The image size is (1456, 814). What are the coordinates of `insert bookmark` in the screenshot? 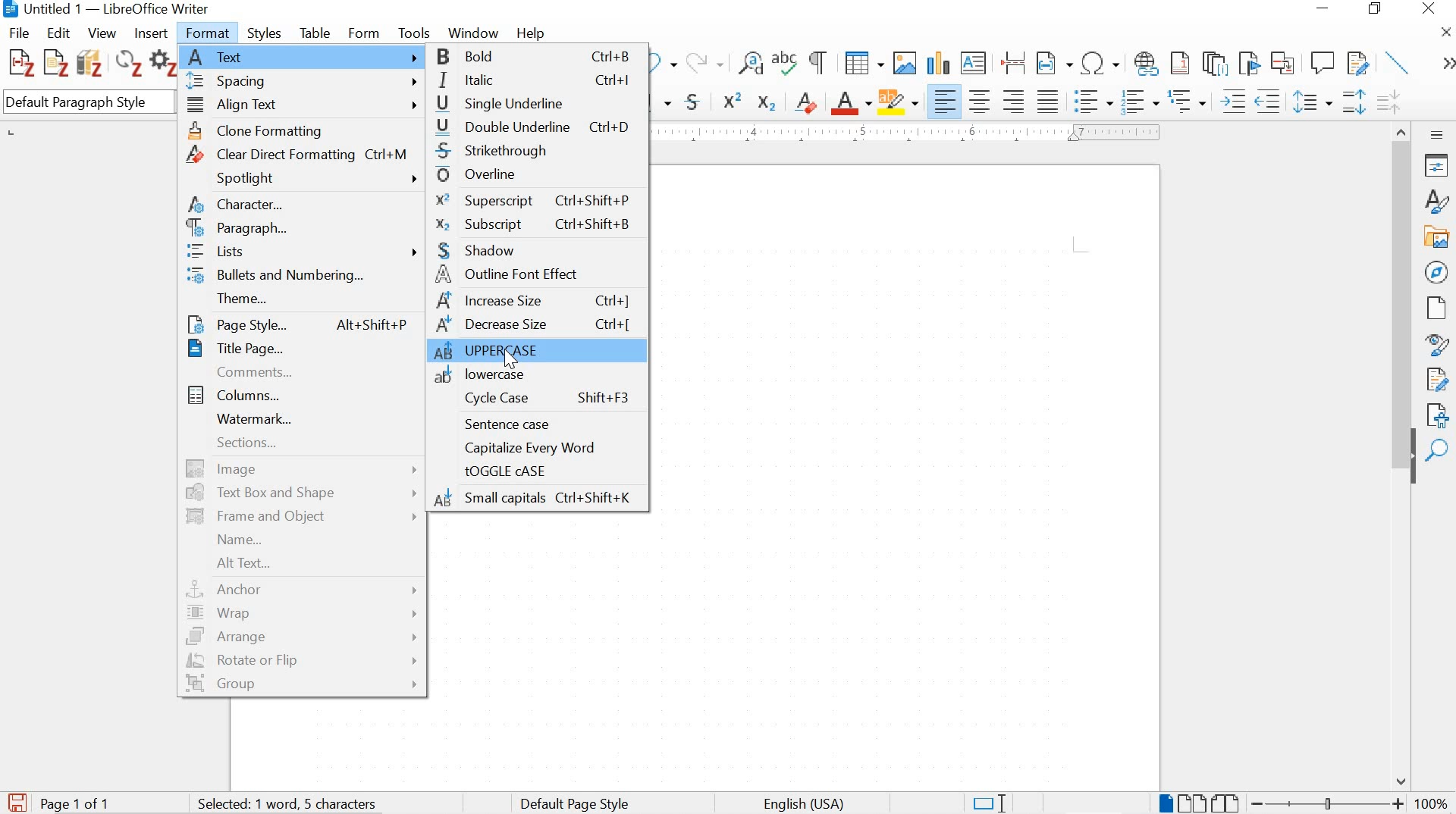 It's located at (1247, 63).